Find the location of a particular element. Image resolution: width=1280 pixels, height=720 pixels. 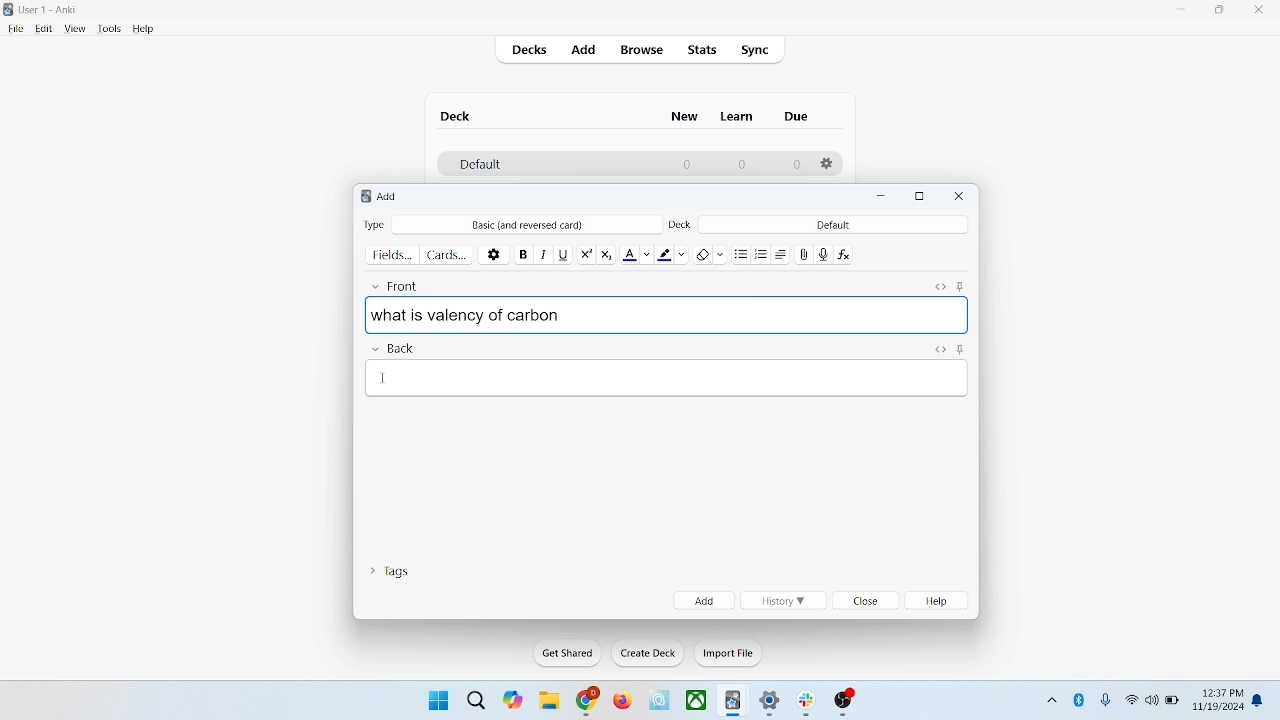

default is located at coordinates (479, 165).